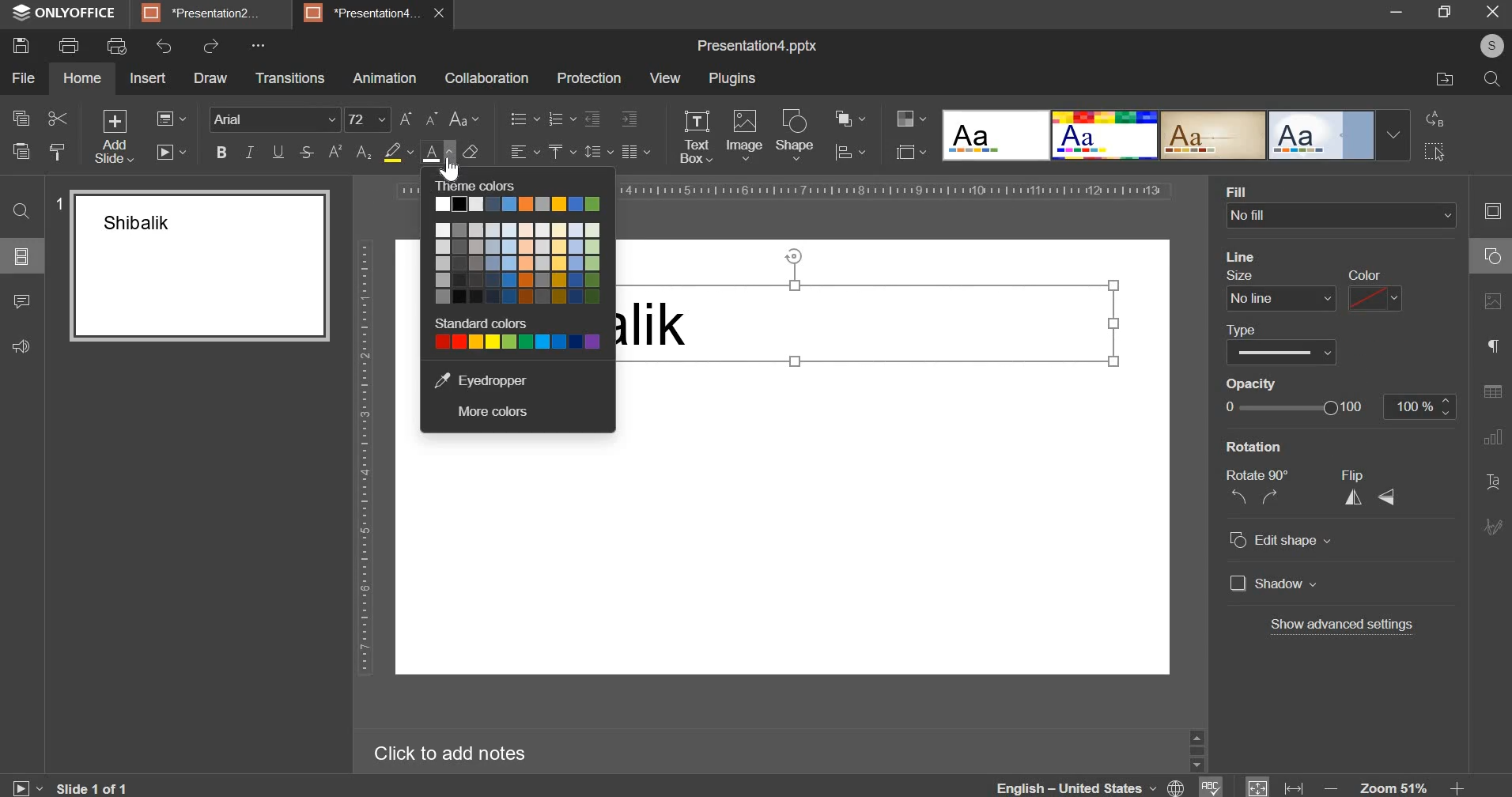 The width and height of the screenshot is (1512, 797). Describe the element at coordinates (911, 118) in the screenshot. I see `change color themes` at that location.